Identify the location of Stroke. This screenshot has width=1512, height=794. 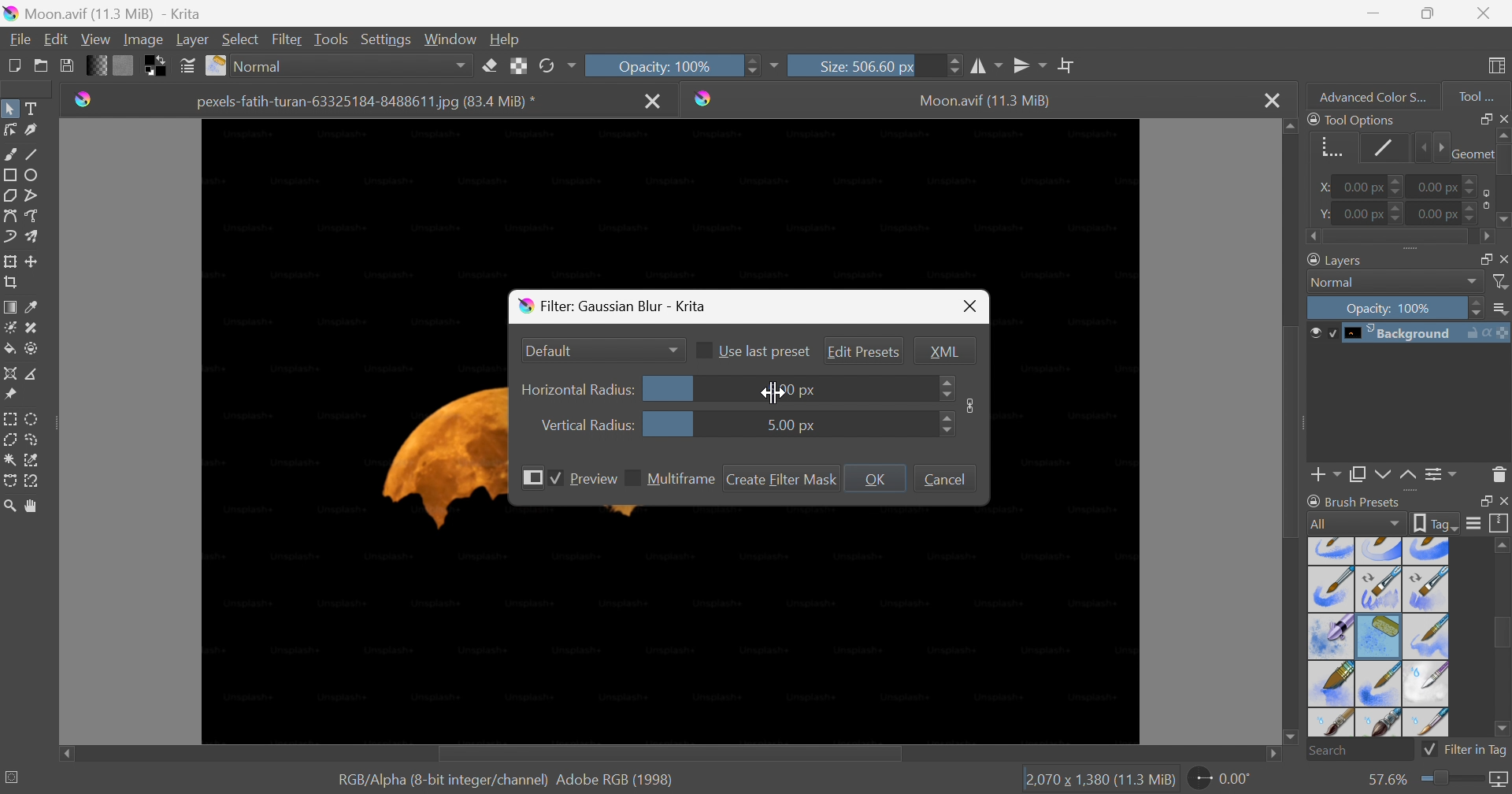
(1380, 149).